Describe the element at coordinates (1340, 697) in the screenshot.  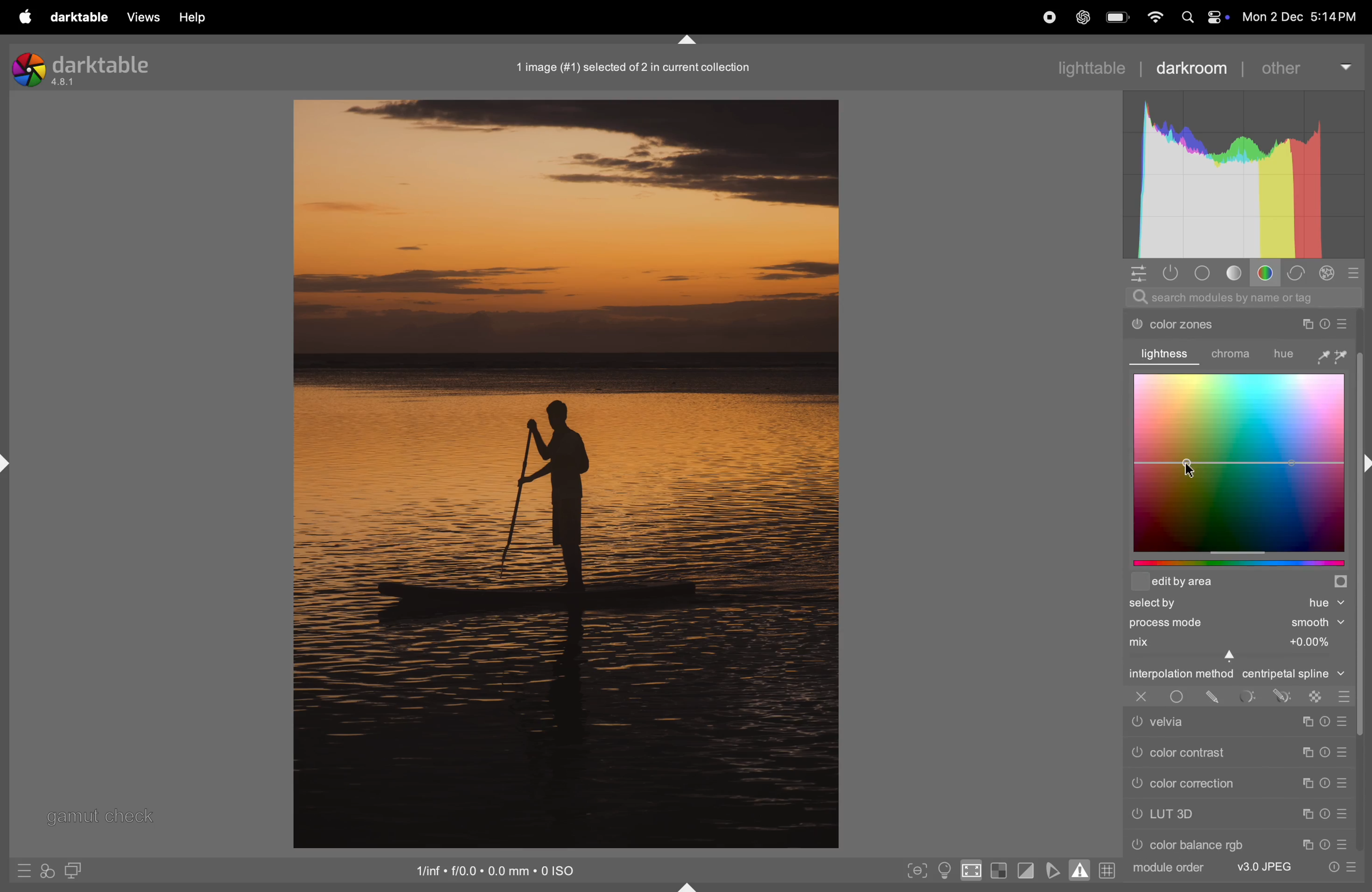
I see `` at that location.